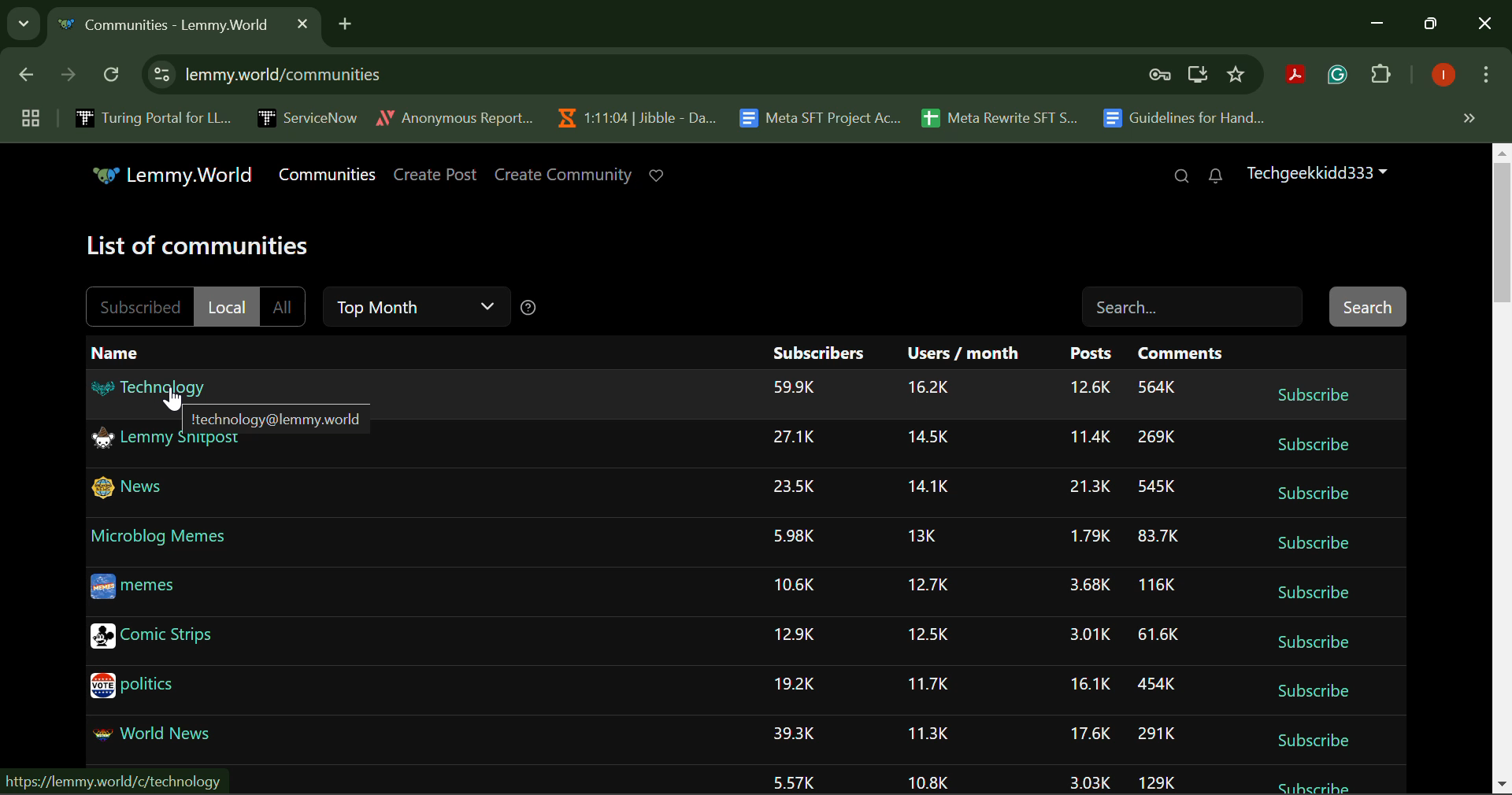  I want to click on Guidelines for Handling, so click(1186, 118).